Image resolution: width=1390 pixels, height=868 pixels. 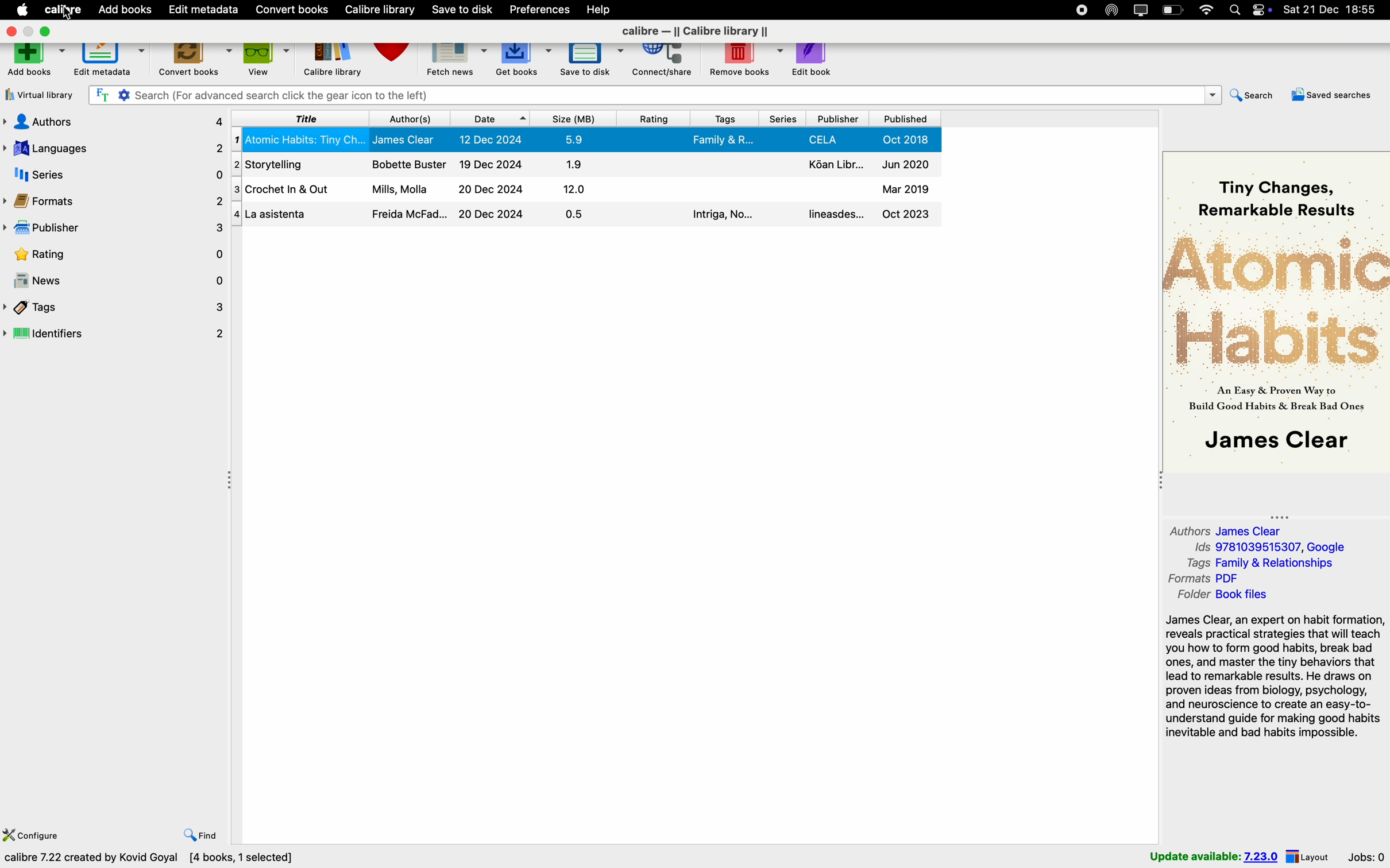 What do you see at coordinates (782, 119) in the screenshot?
I see `series` at bounding box center [782, 119].